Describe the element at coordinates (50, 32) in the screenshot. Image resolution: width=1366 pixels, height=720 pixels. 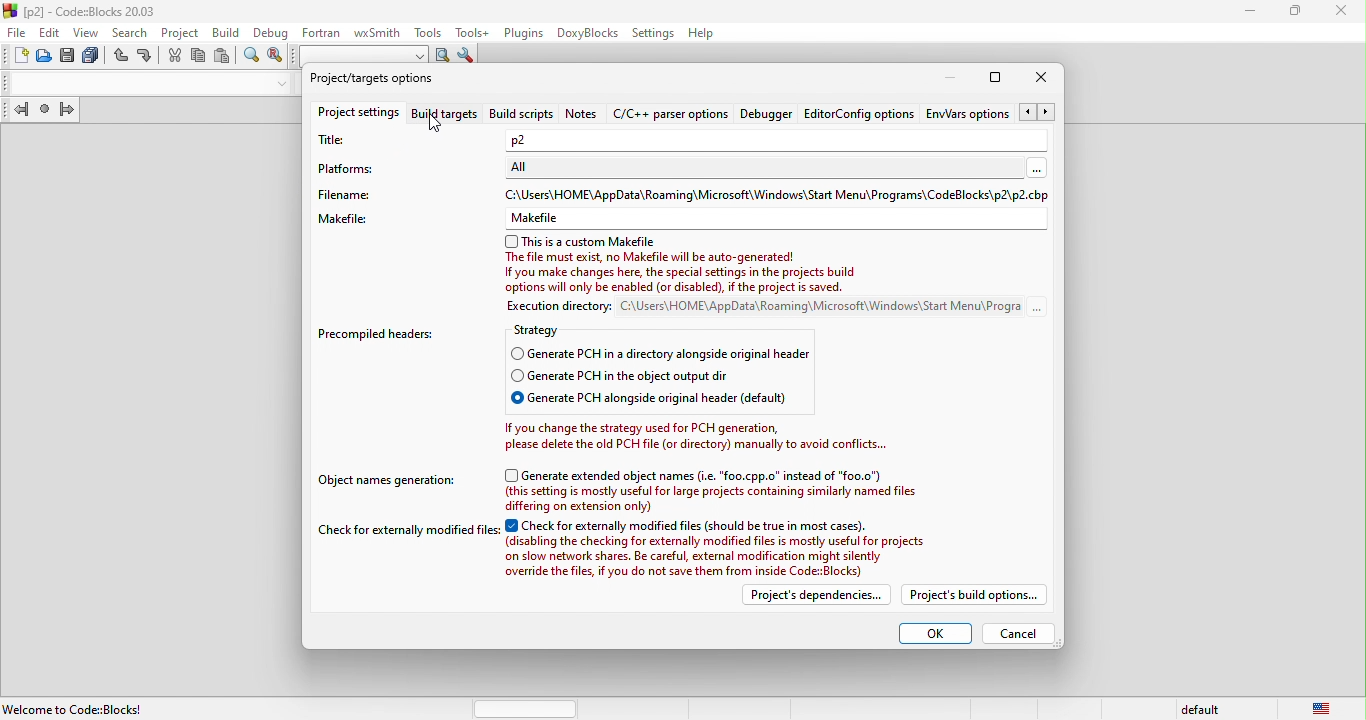
I see `edit` at that location.